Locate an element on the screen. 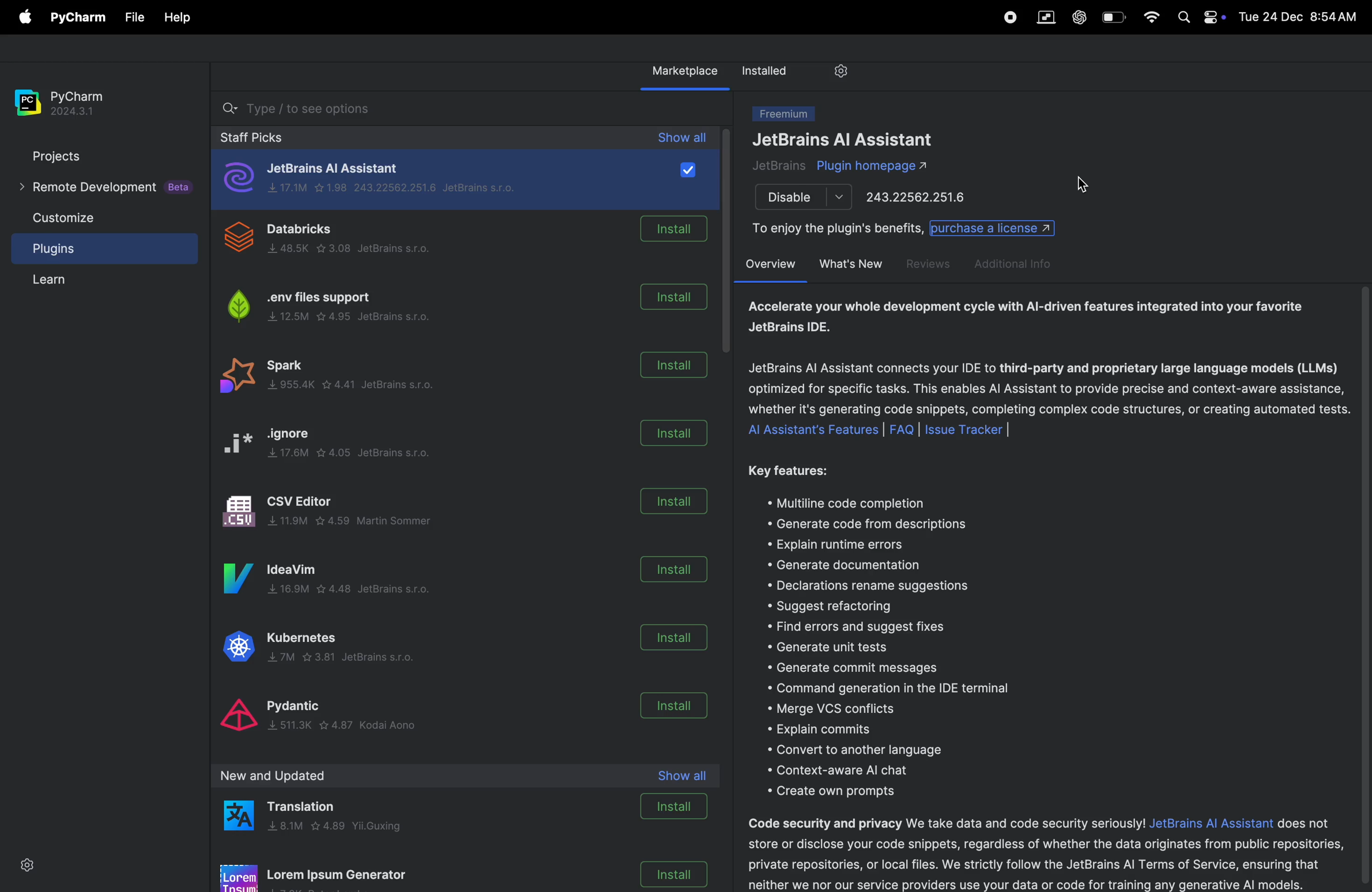 The image size is (1372, 892). key features is located at coordinates (806, 471).